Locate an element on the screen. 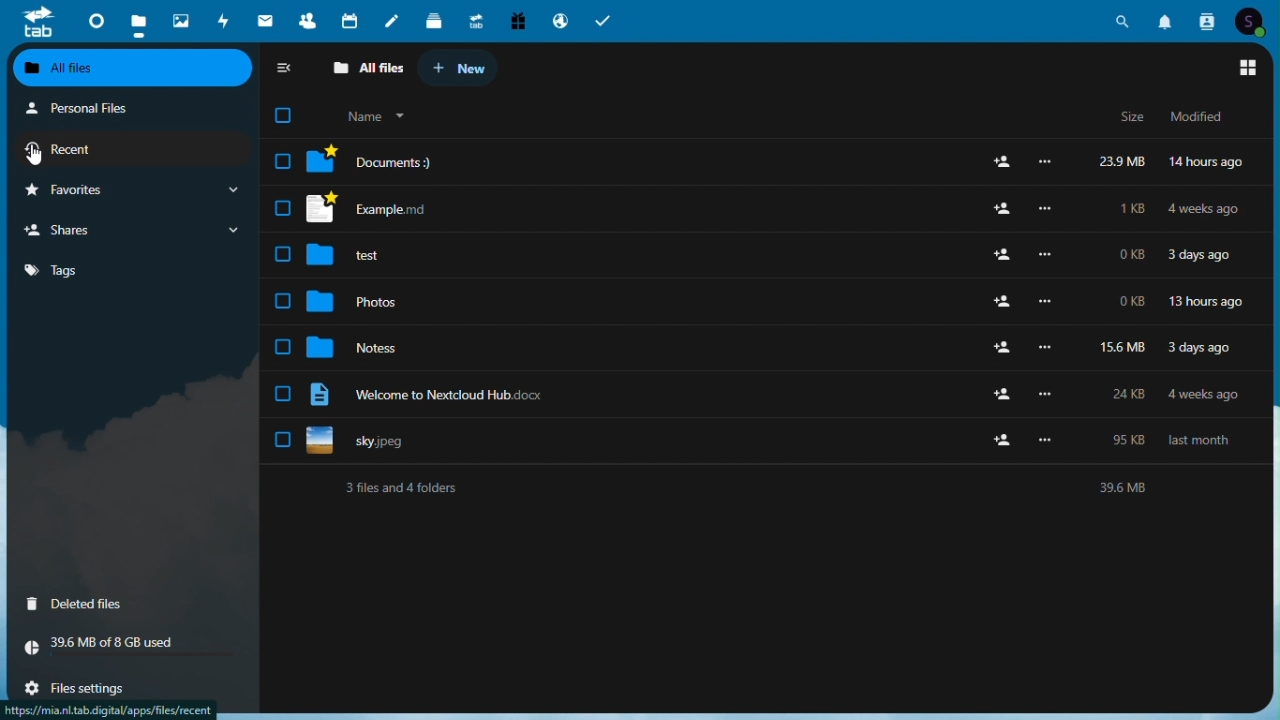 This screenshot has height=720, width=1280. new  is located at coordinates (463, 70).